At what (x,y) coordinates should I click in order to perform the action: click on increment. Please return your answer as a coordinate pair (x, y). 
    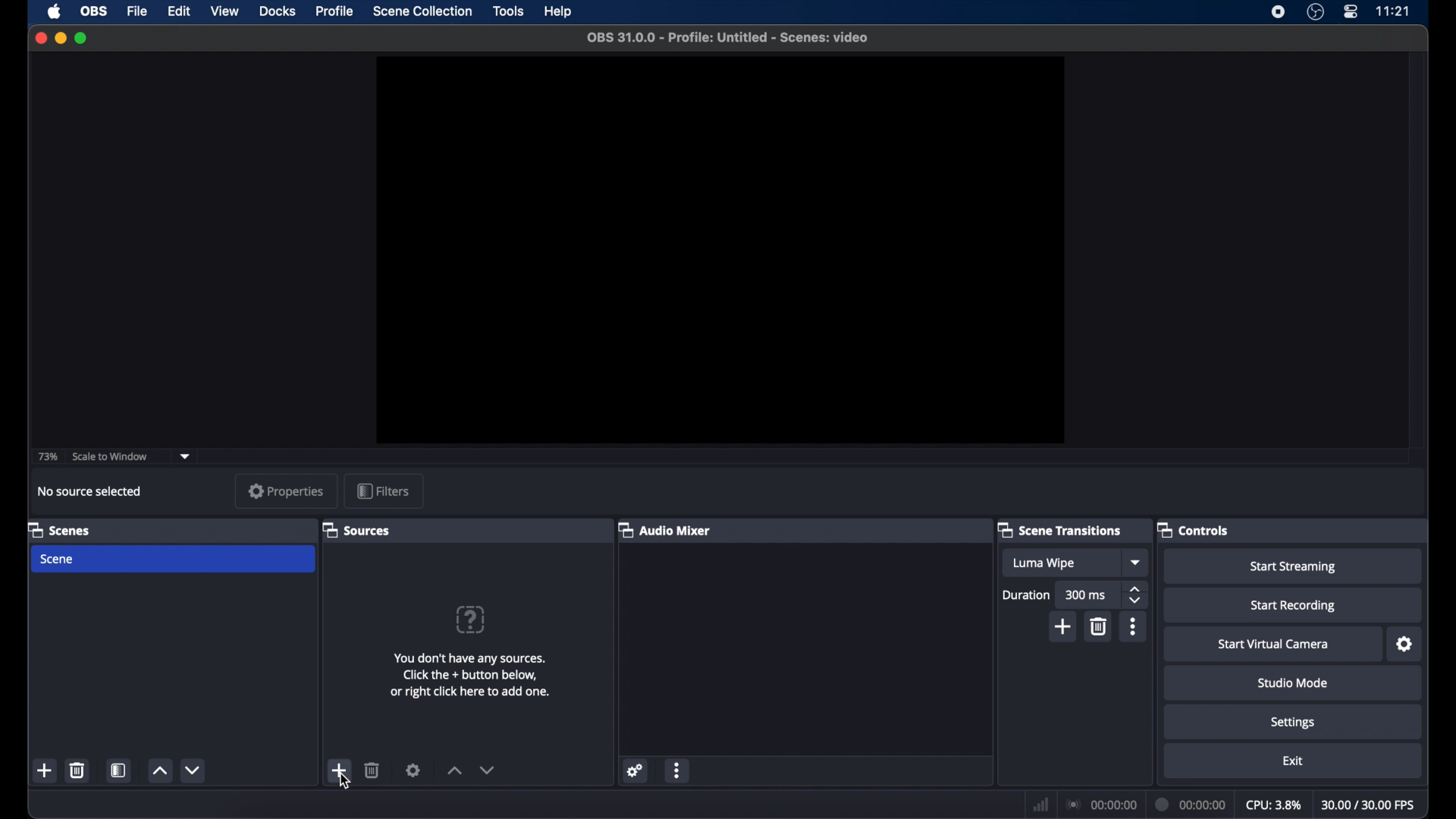
    Looking at the image, I should click on (454, 771).